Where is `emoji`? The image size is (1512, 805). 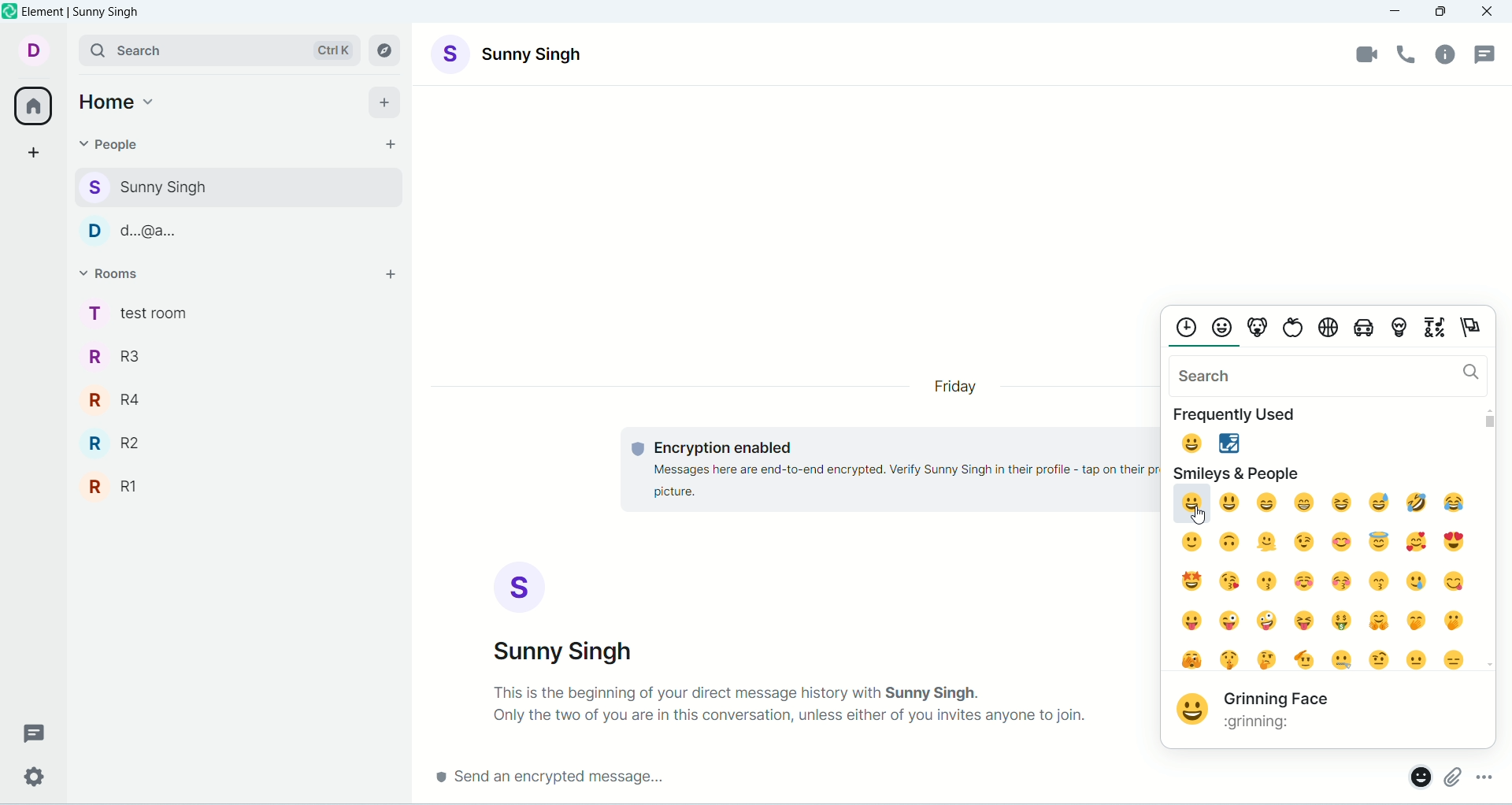
emoji is located at coordinates (1416, 779).